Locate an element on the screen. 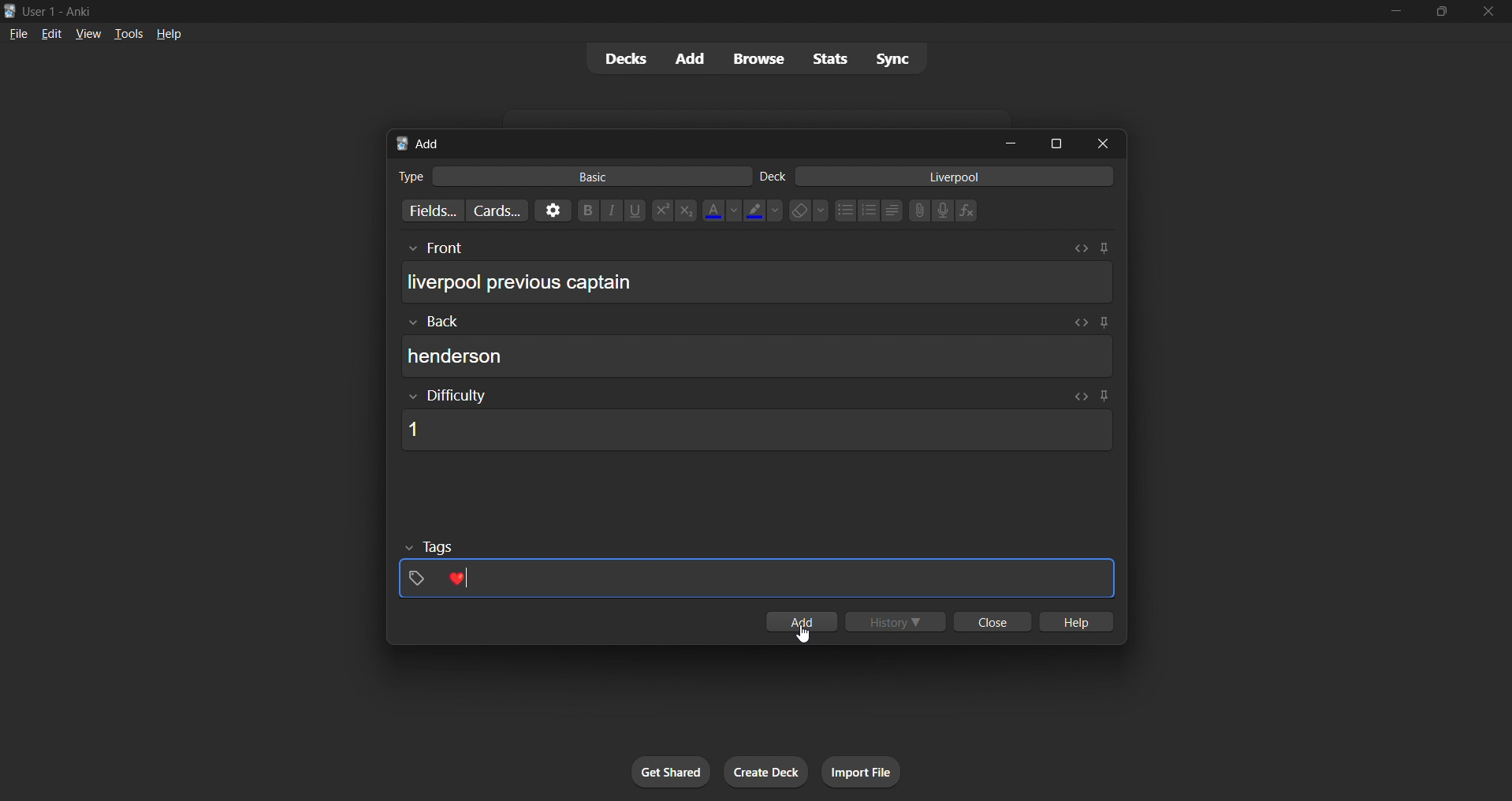 Image resolution: width=1512 pixels, height=801 pixels. minimize is located at coordinates (1393, 13).